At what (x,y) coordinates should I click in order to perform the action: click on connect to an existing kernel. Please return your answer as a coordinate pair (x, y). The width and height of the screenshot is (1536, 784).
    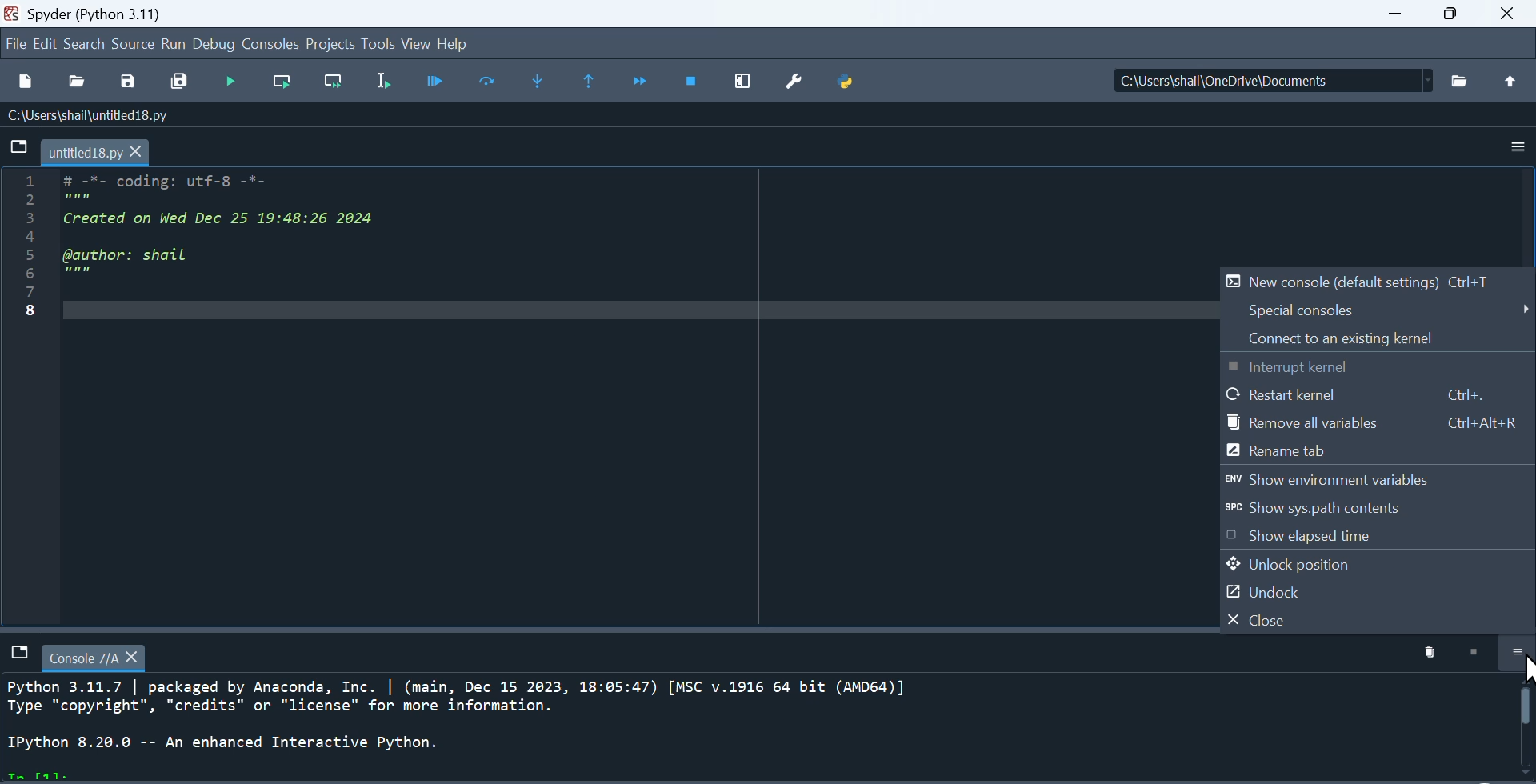
    Looking at the image, I should click on (1379, 340).